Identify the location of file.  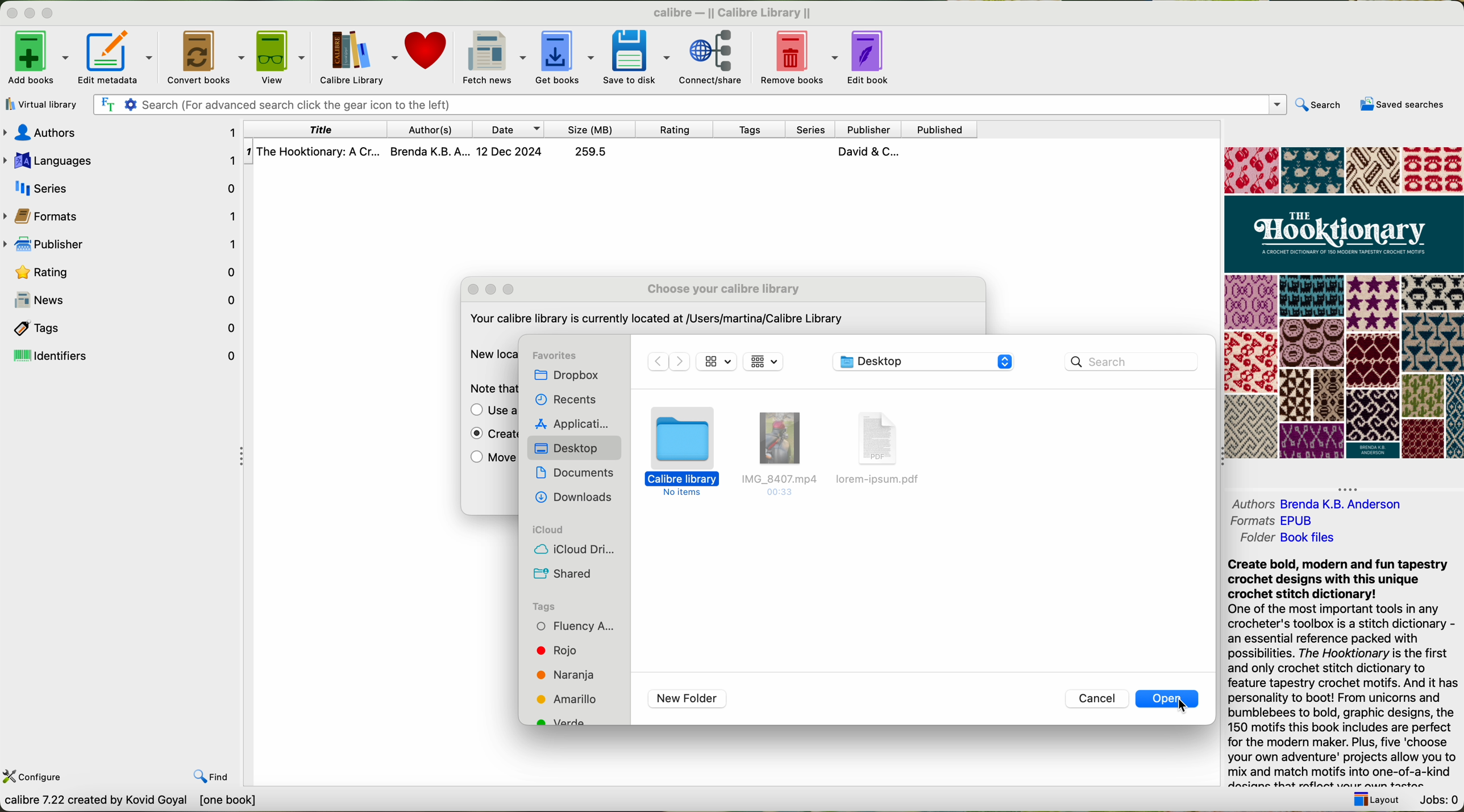
(879, 449).